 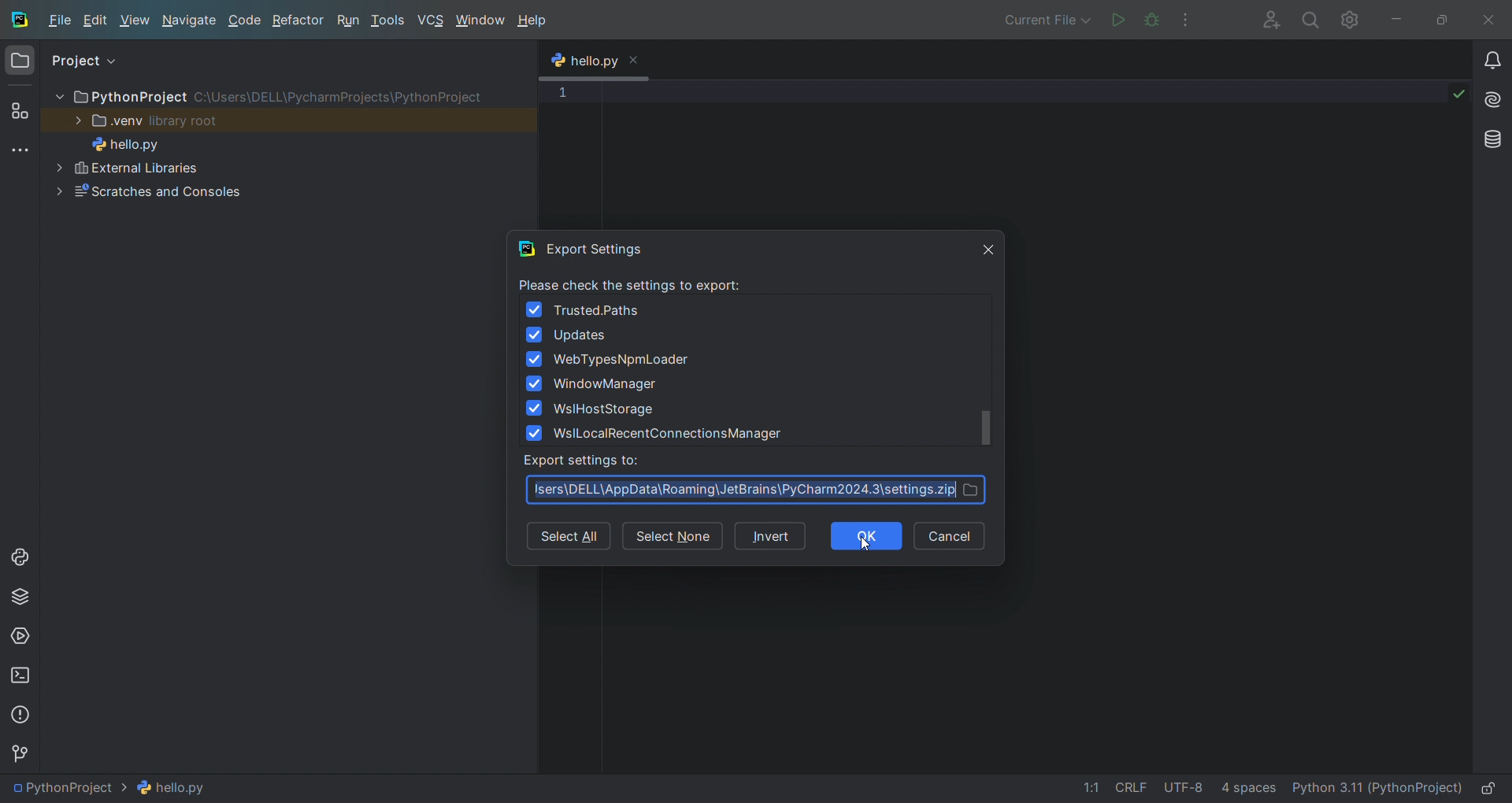 What do you see at coordinates (432, 20) in the screenshot?
I see `vcs` at bounding box center [432, 20].